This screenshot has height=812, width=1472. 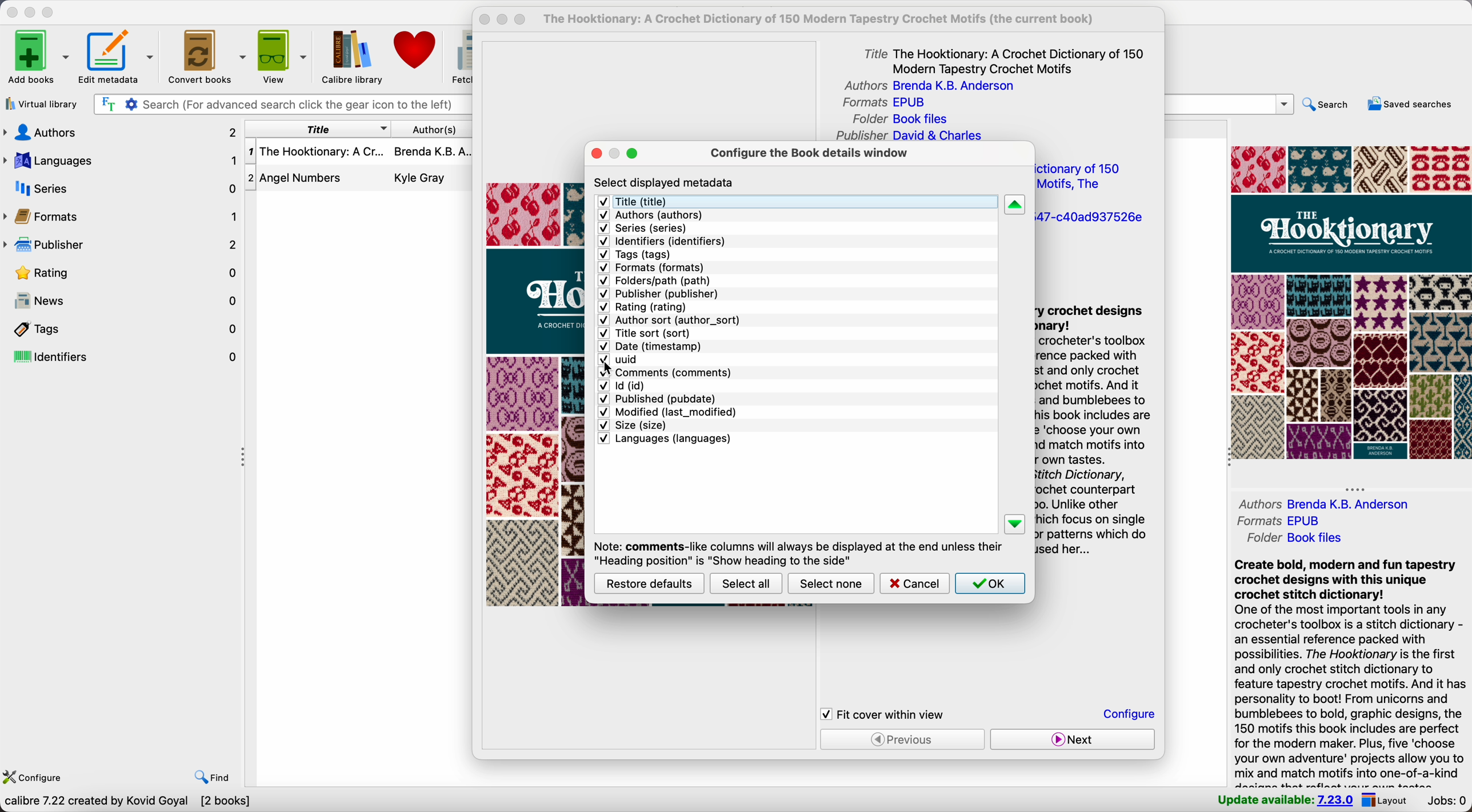 What do you see at coordinates (643, 201) in the screenshot?
I see `title` at bounding box center [643, 201].